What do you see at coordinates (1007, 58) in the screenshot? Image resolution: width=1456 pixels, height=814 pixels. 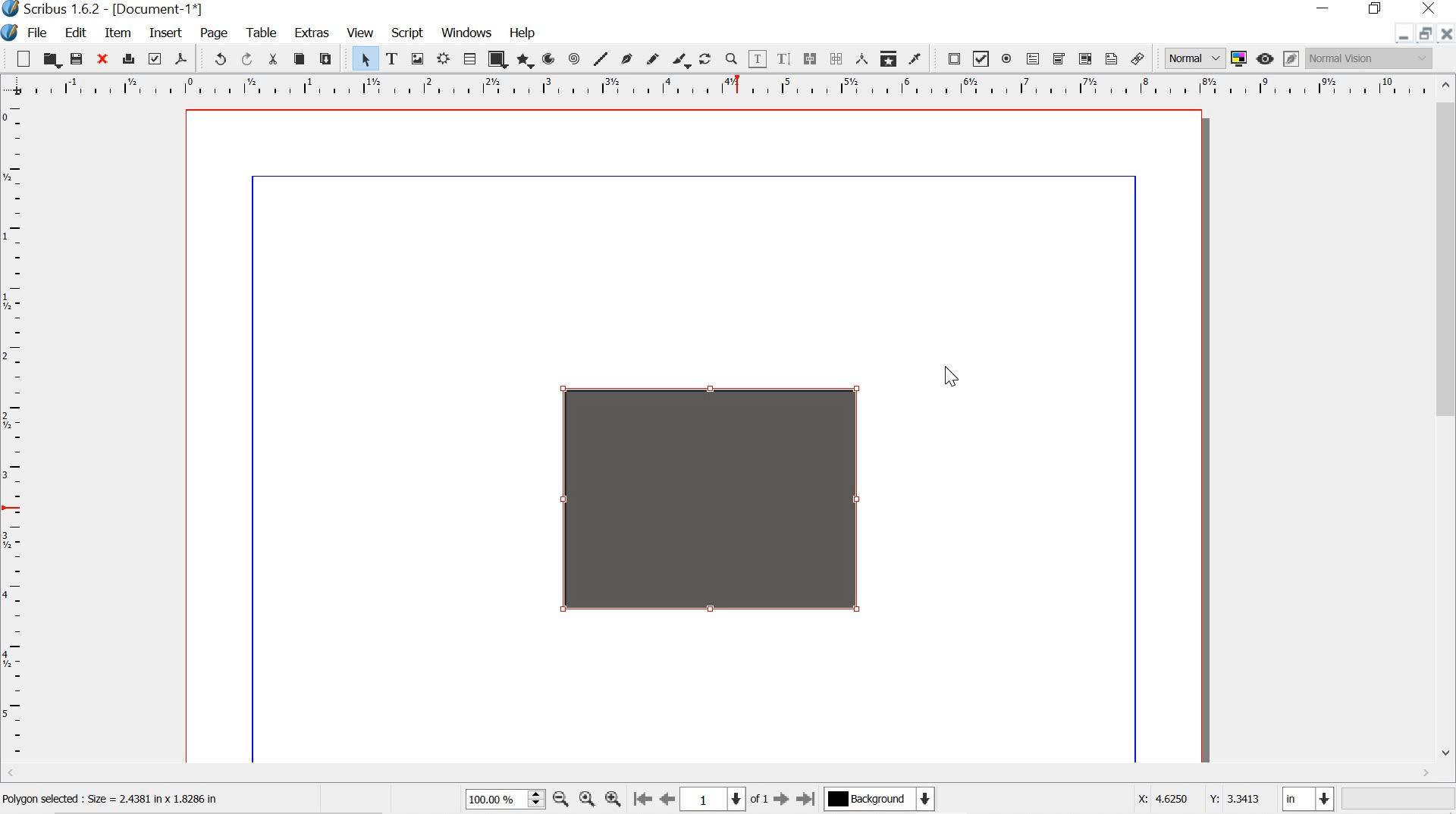 I see `pdf radio button` at bounding box center [1007, 58].